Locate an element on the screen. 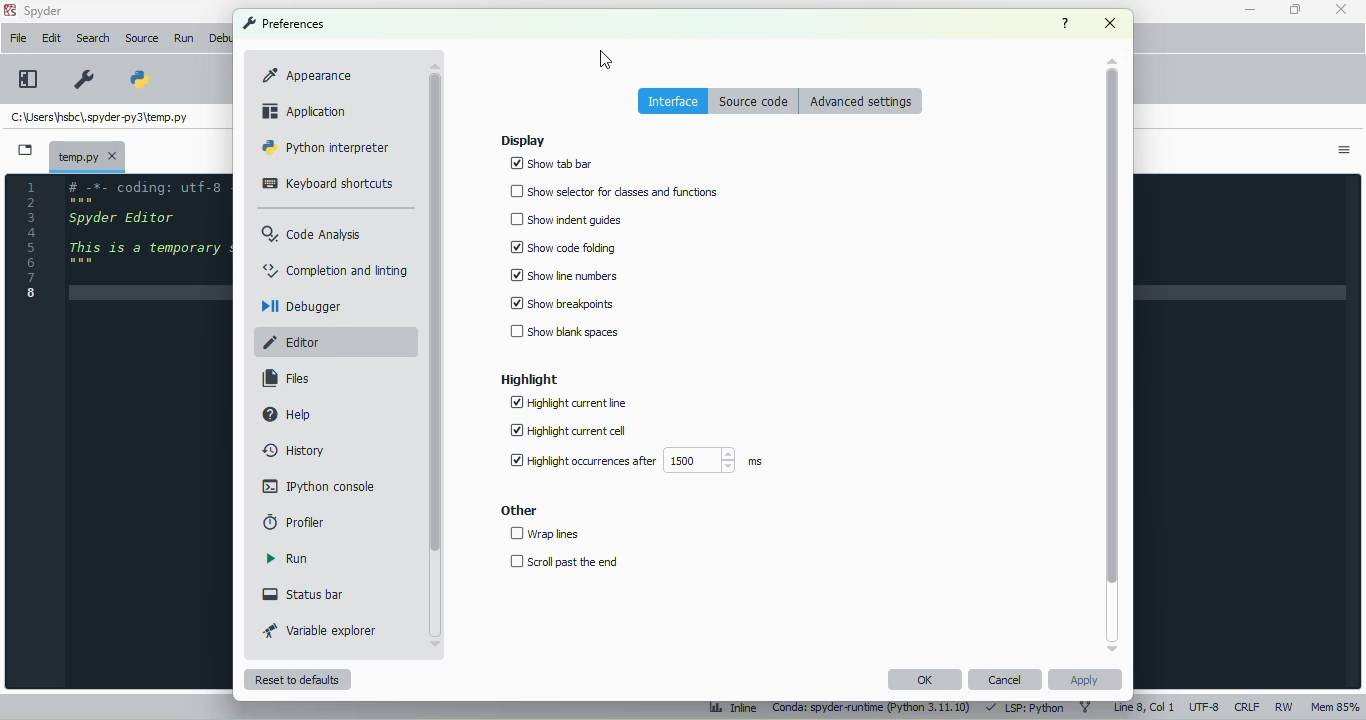  help is located at coordinates (288, 413).